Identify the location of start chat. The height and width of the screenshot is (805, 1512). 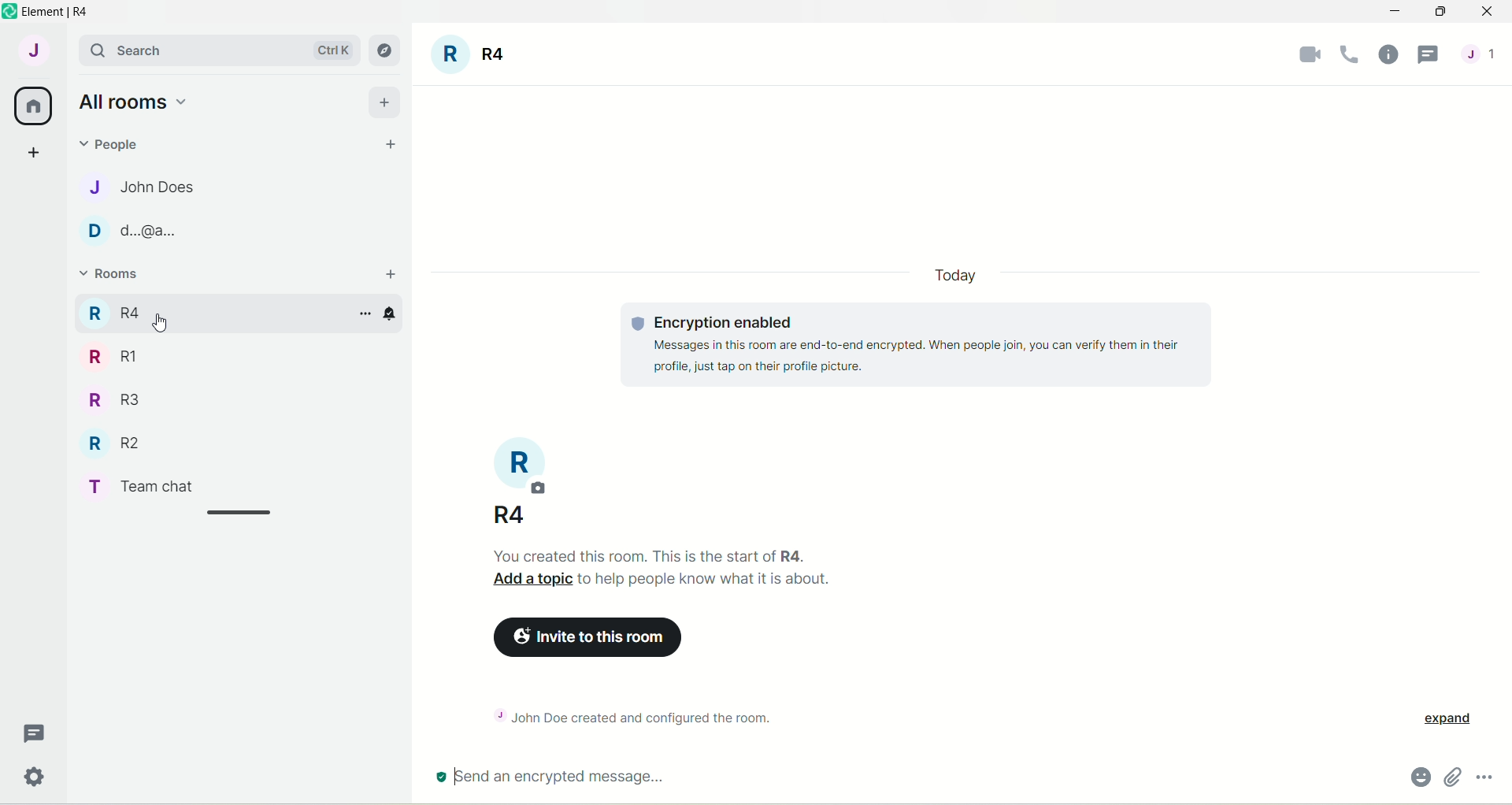
(391, 146).